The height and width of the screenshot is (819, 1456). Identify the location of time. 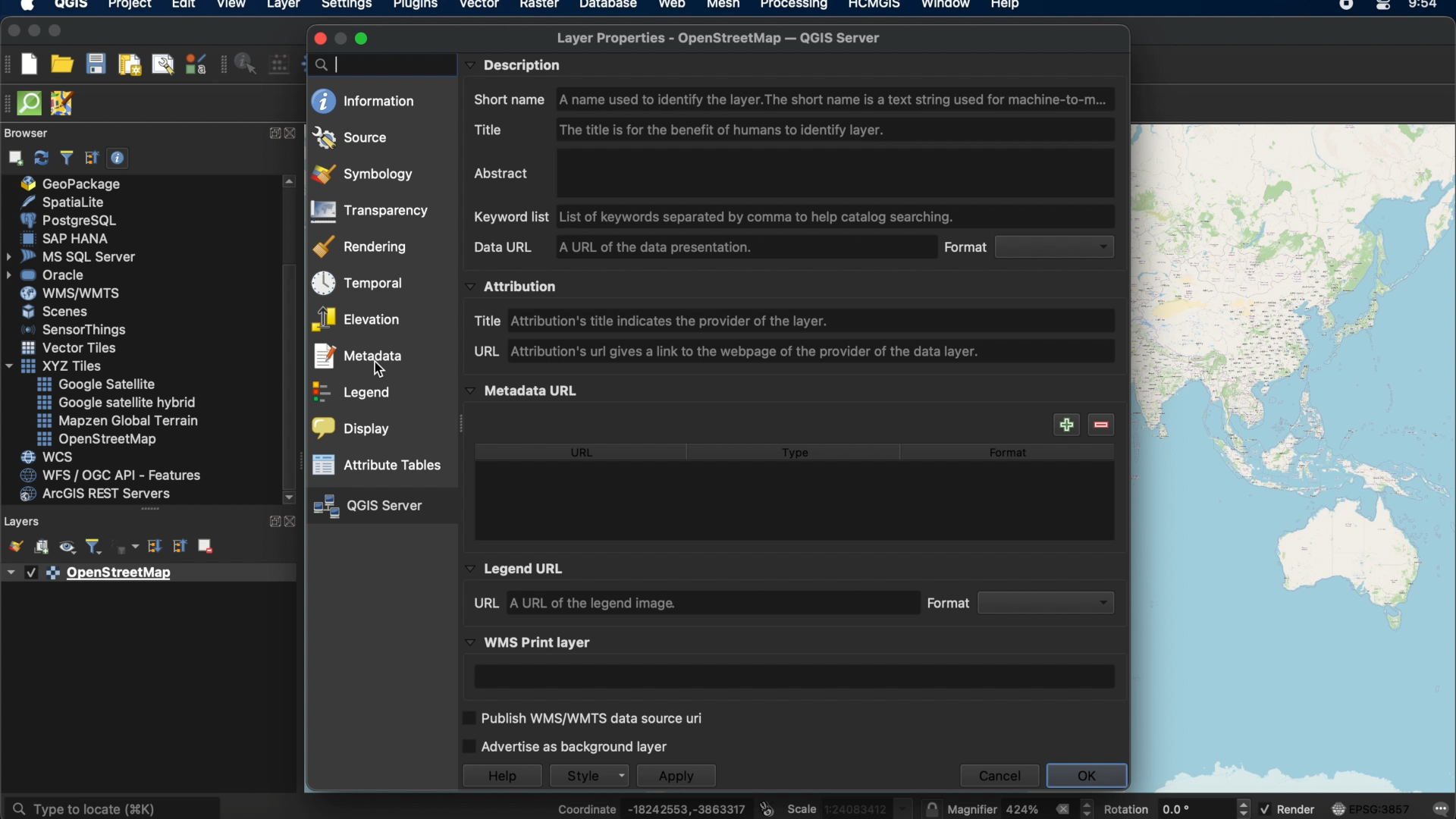
(1422, 7).